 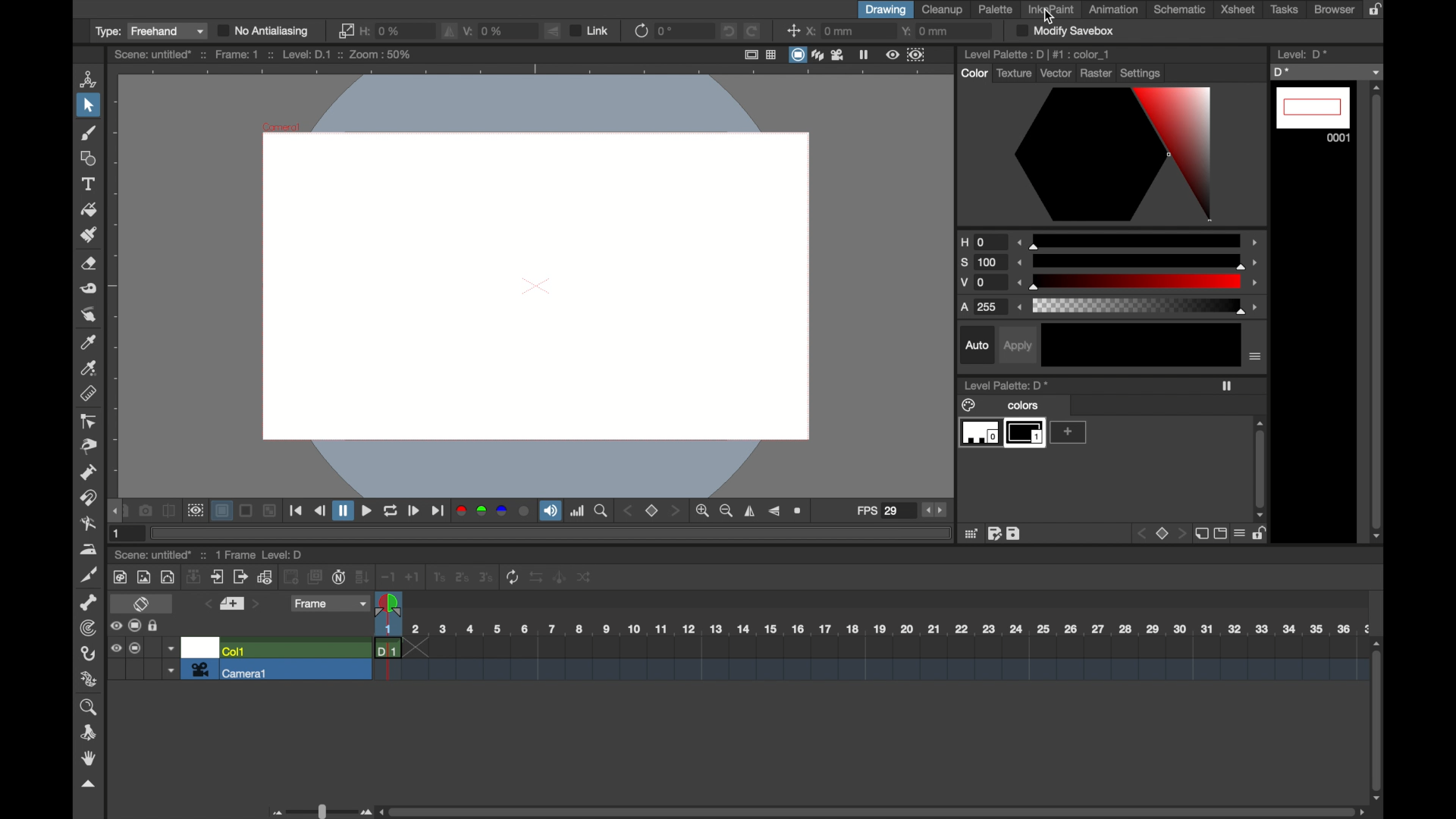 What do you see at coordinates (771, 53) in the screenshot?
I see `table` at bounding box center [771, 53].